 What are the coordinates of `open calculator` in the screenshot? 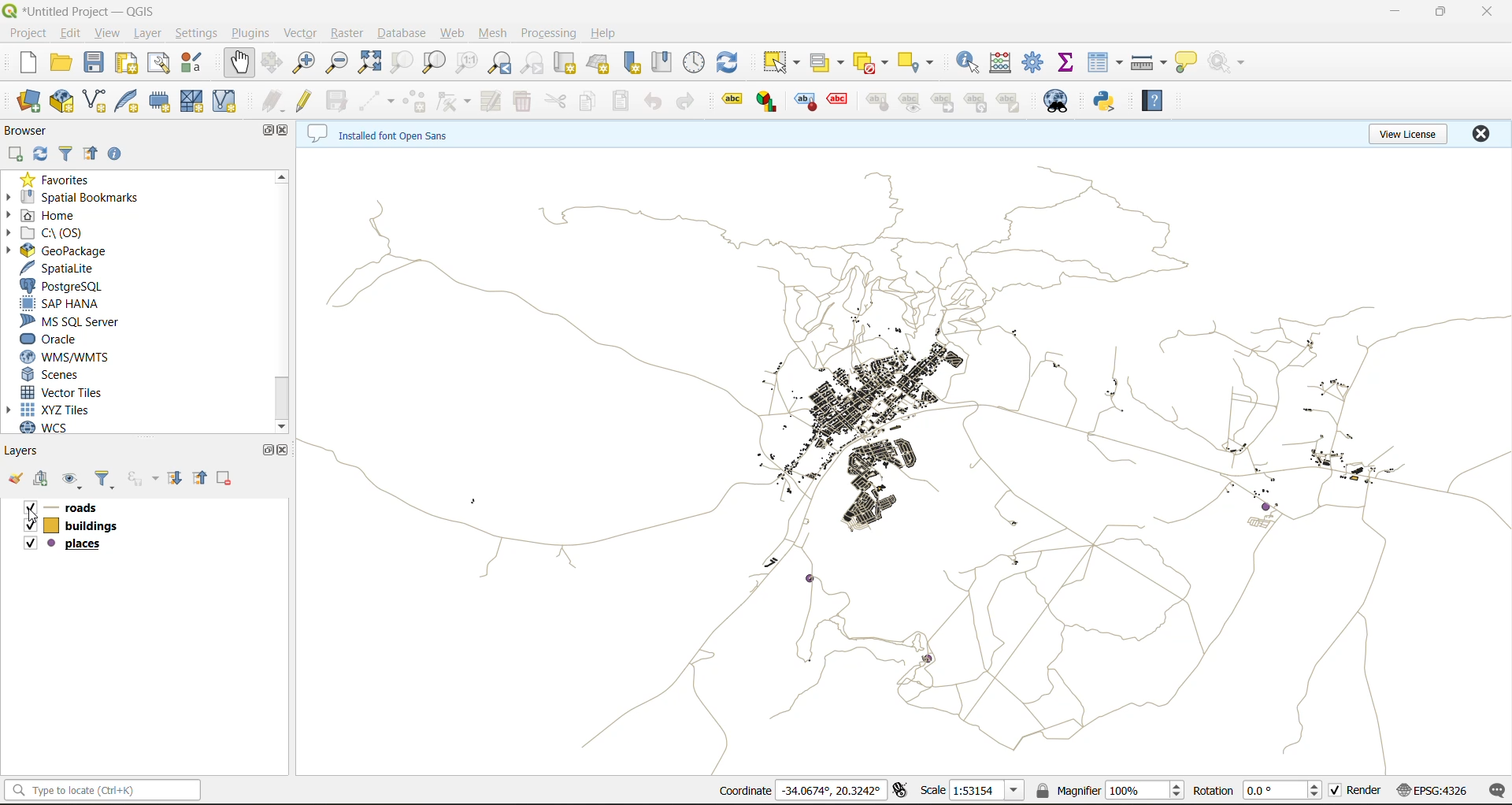 It's located at (1005, 63).